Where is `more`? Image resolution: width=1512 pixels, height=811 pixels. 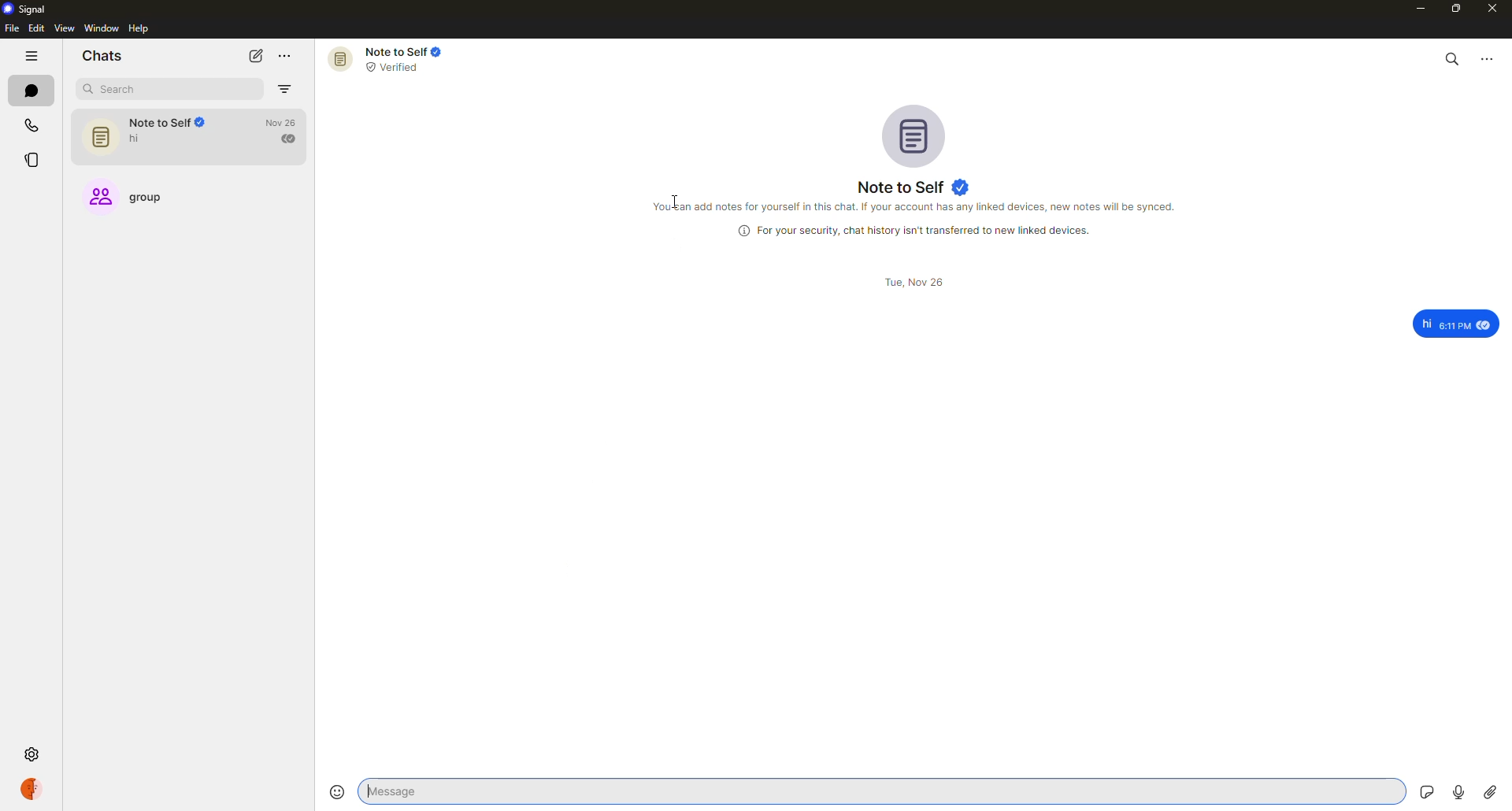
more is located at coordinates (1488, 57).